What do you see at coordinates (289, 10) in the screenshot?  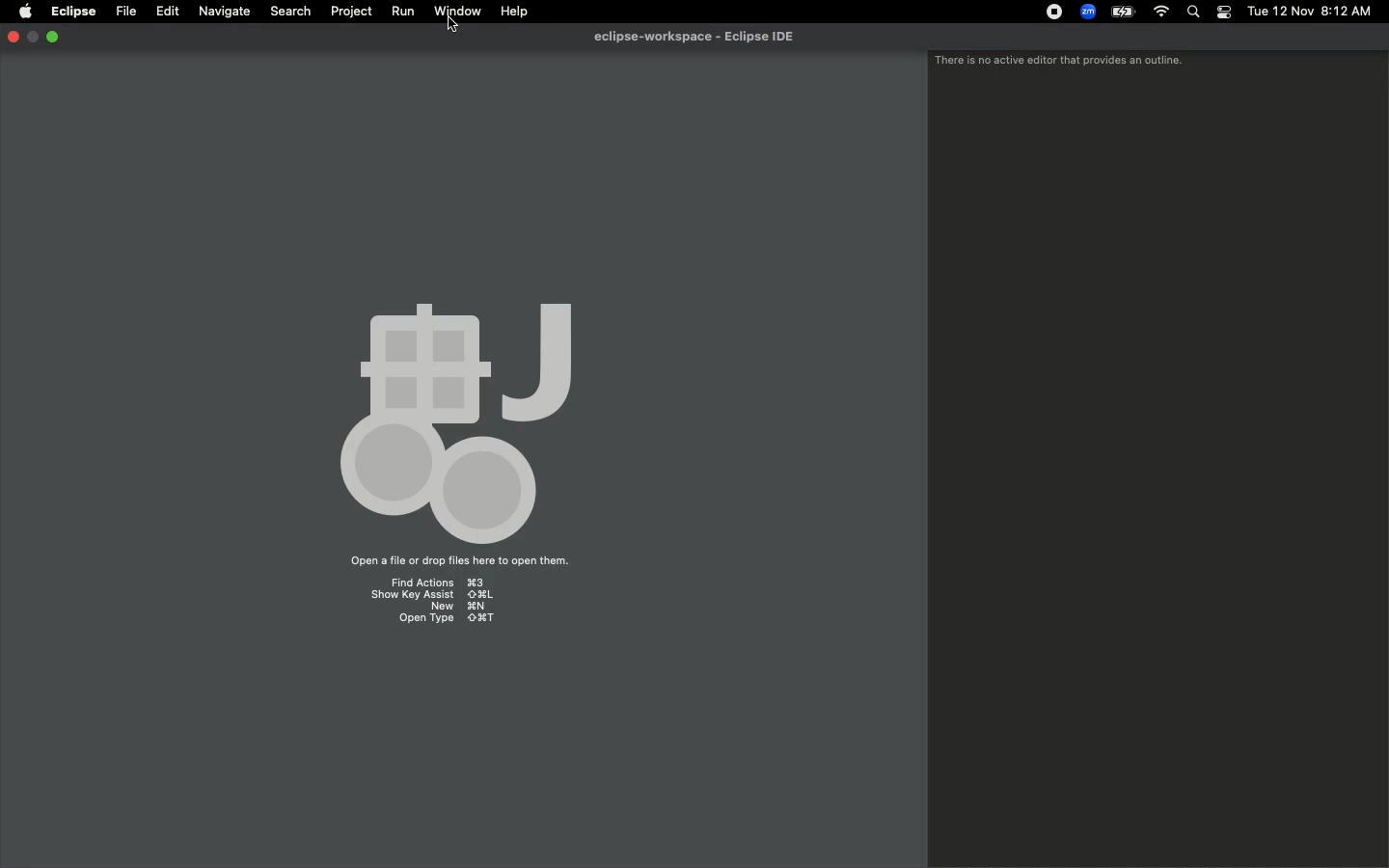 I see `Search` at bounding box center [289, 10].